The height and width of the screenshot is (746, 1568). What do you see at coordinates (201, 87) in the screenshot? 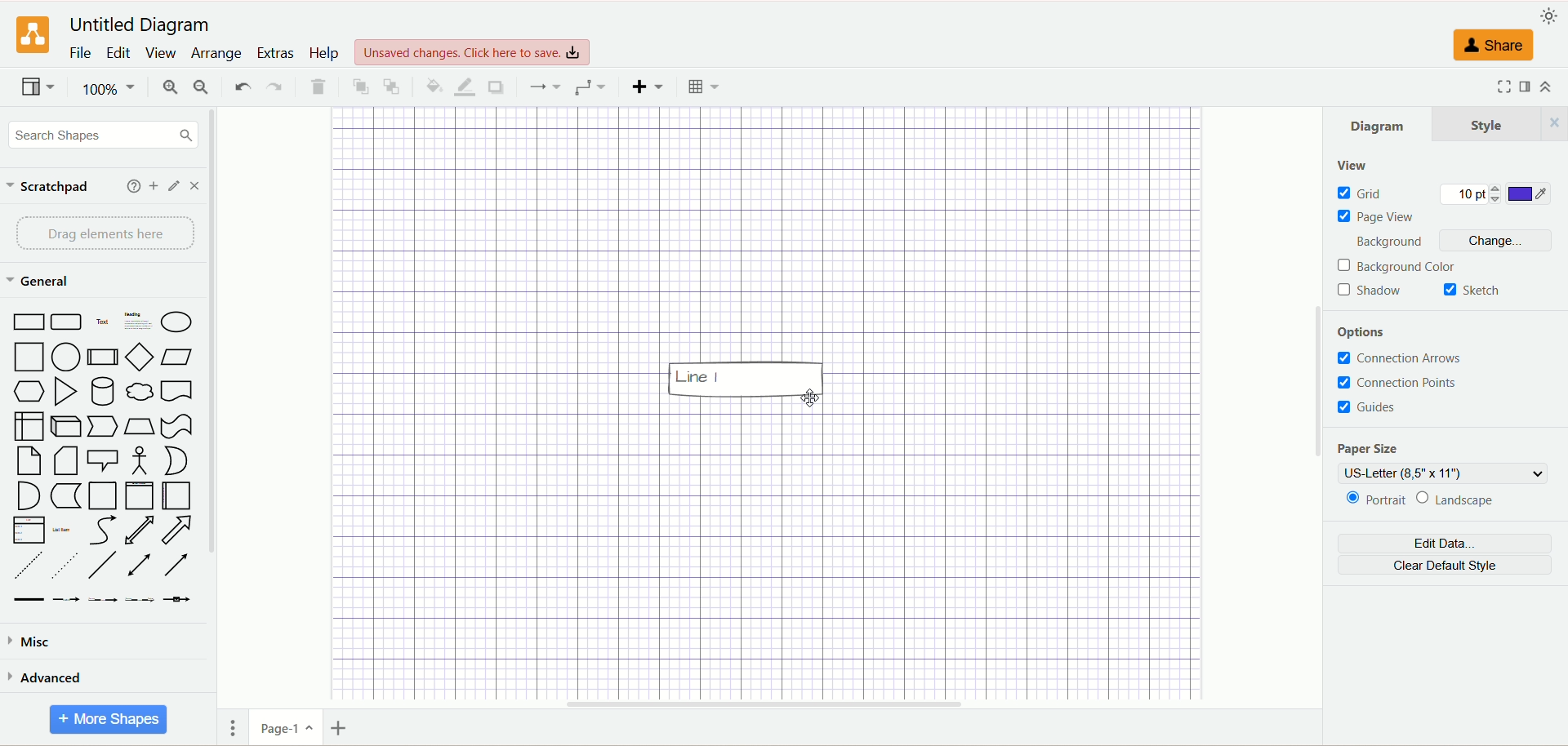
I see `zoom out` at bounding box center [201, 87].